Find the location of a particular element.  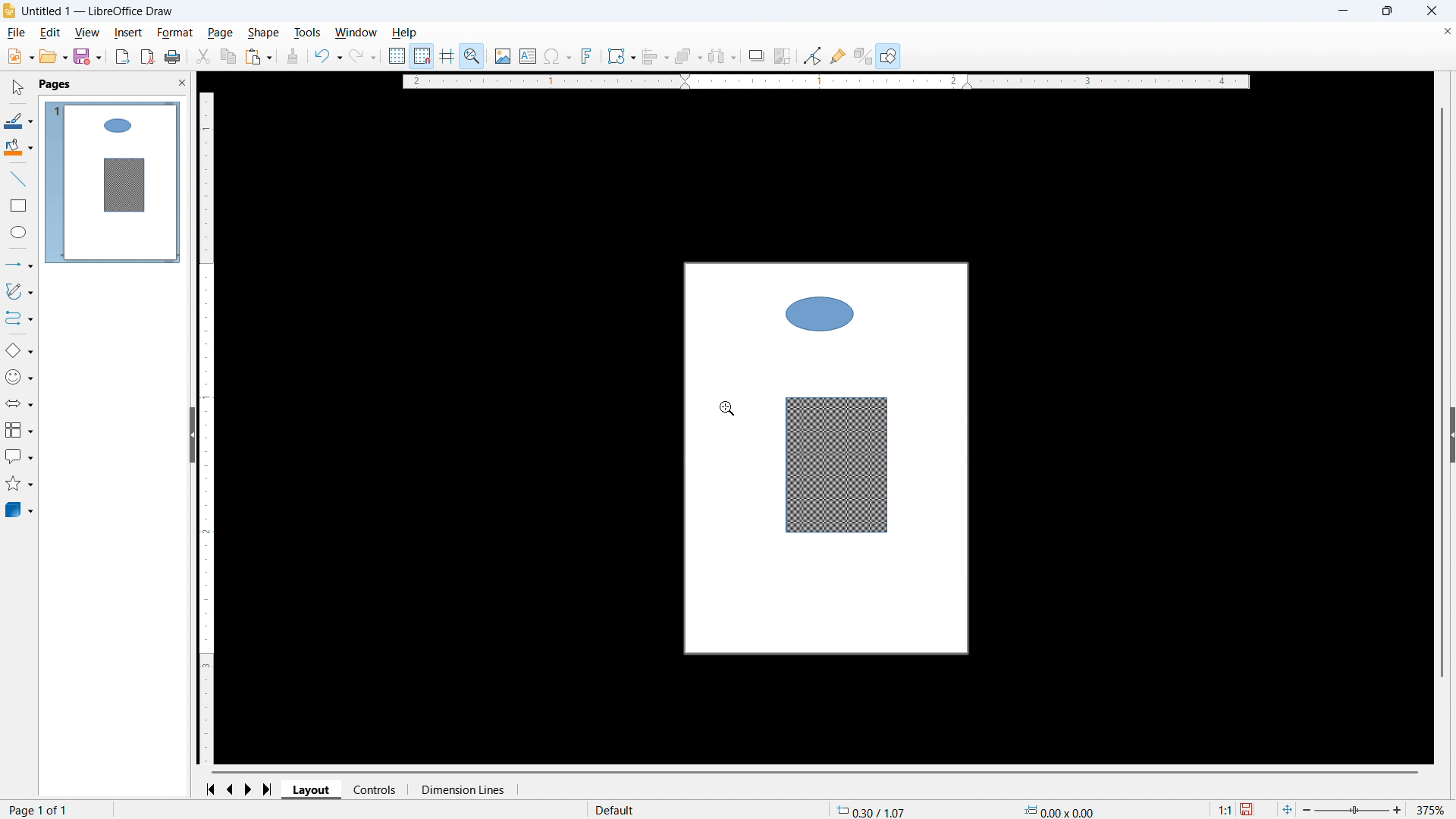

Redo  is located at coordinates (362, 57).